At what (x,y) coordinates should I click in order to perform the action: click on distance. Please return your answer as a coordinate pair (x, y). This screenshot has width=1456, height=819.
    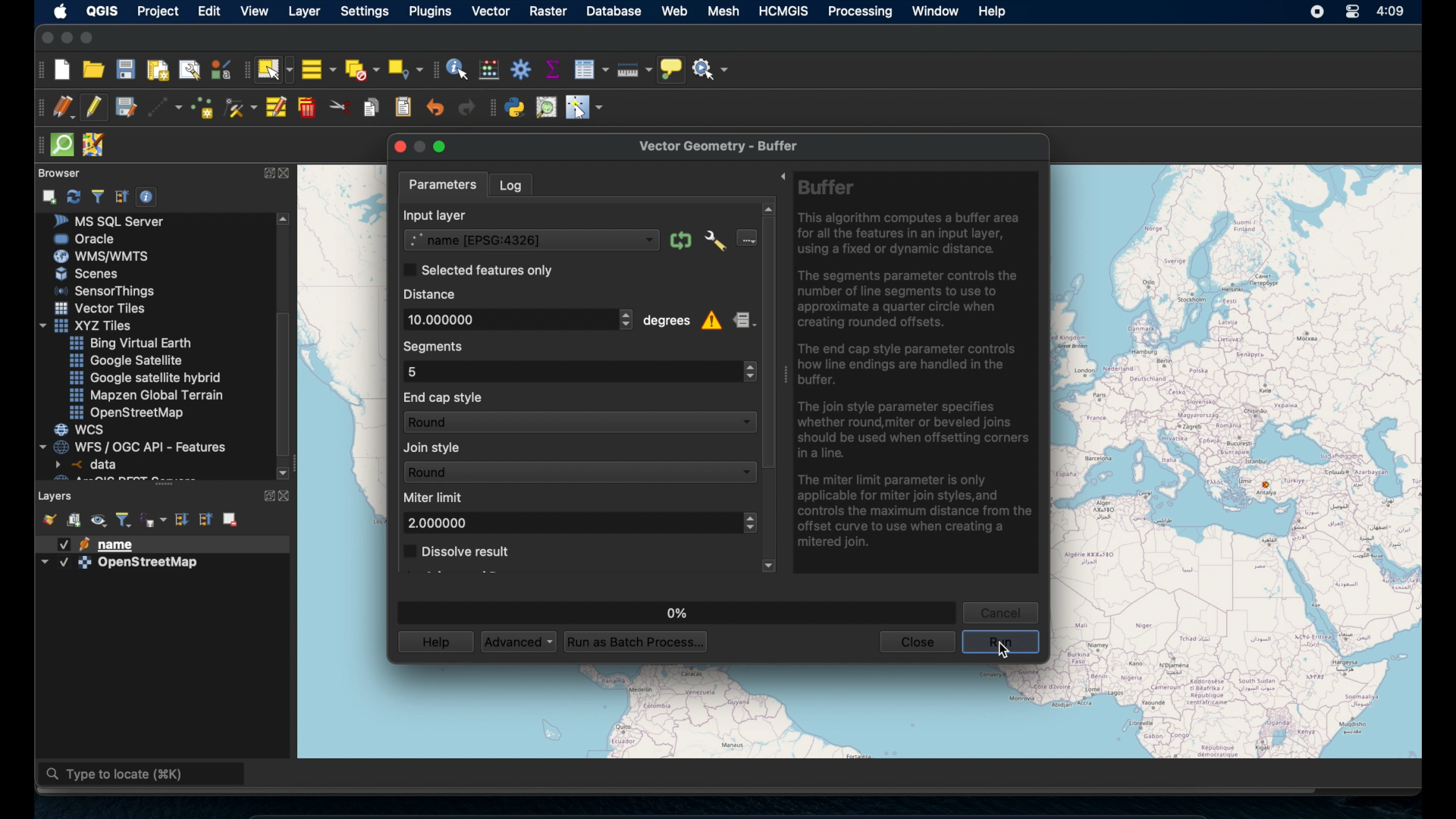
    Looking at the image, I should click on (433, 294).